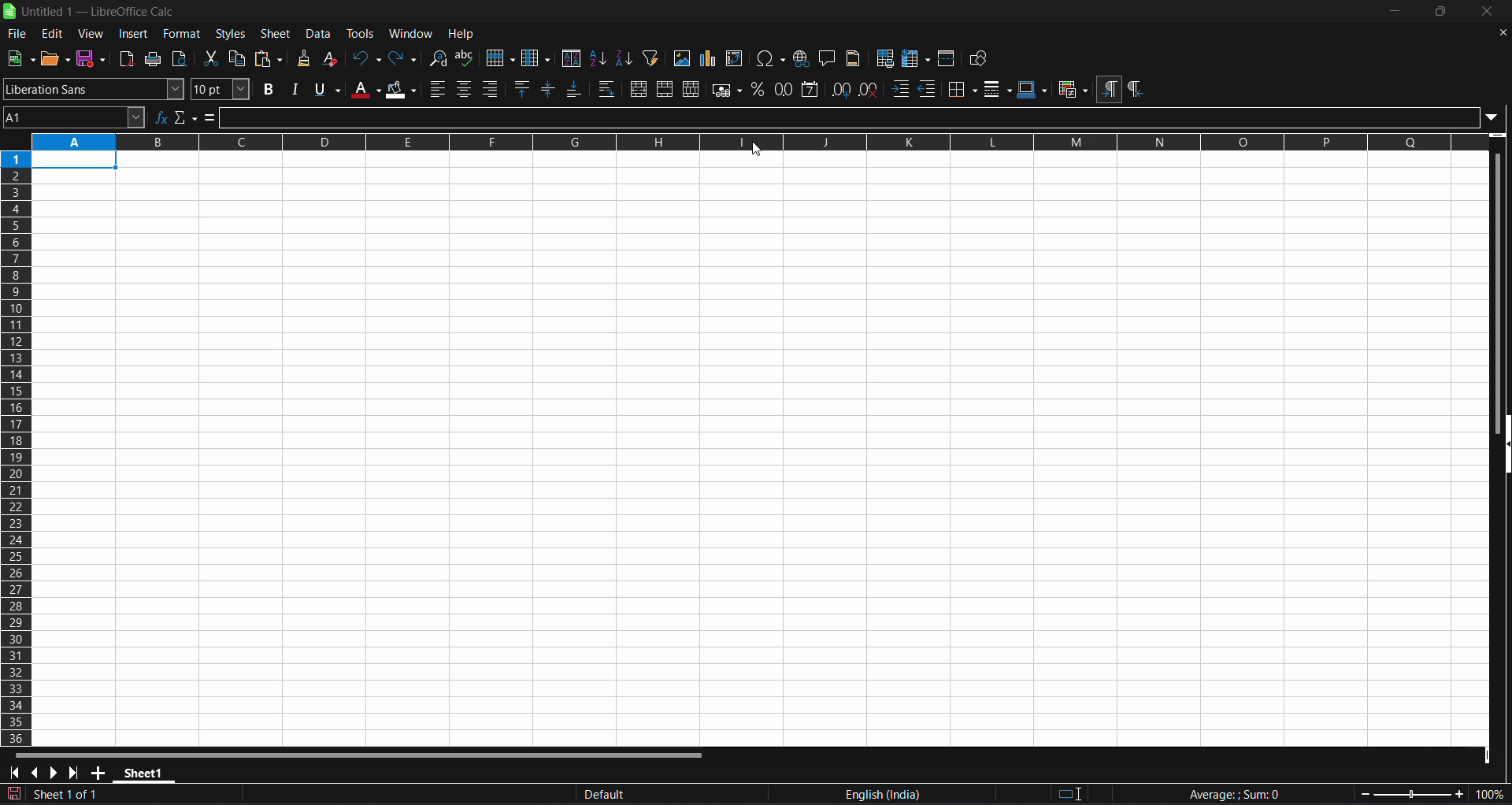 This screenshot has height=805, width=1512. I want to click on increase indent, so click(900, 87).